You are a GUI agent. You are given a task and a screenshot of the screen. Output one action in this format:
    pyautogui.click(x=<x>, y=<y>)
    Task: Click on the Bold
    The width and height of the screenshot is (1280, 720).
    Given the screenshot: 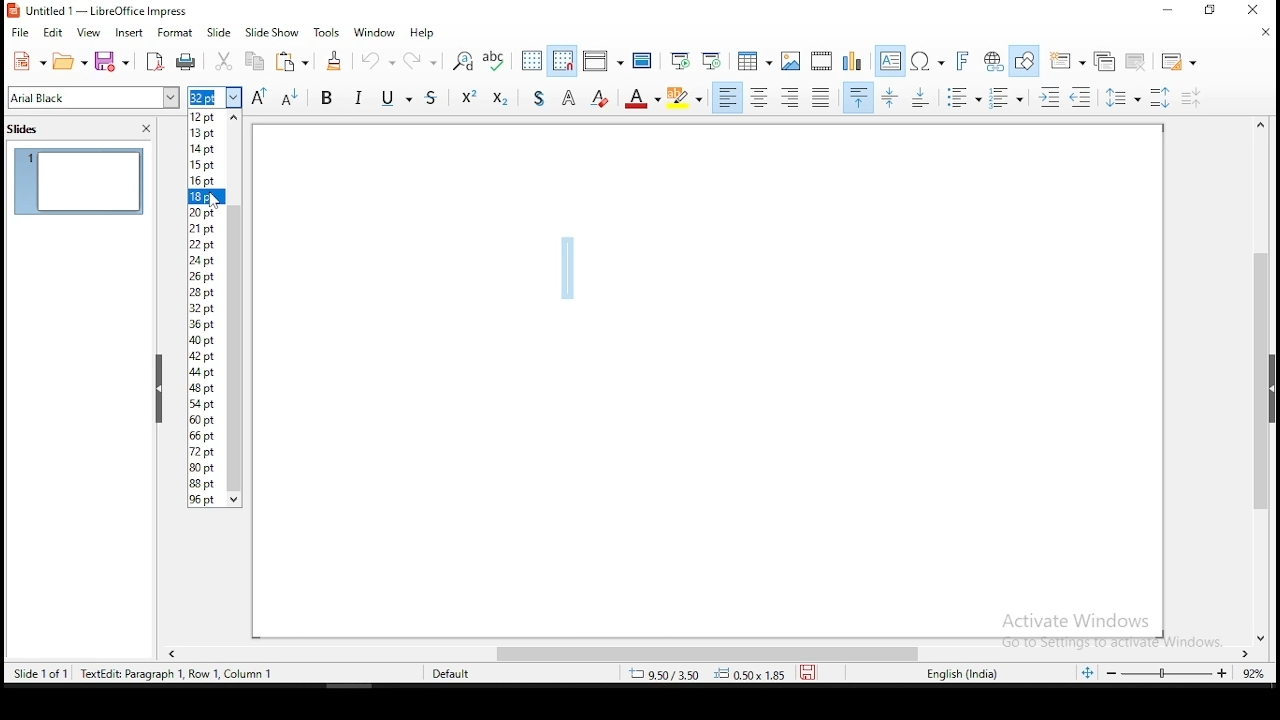 What is the action you would take?
    pyautogui.click(x=327, y=96)
    